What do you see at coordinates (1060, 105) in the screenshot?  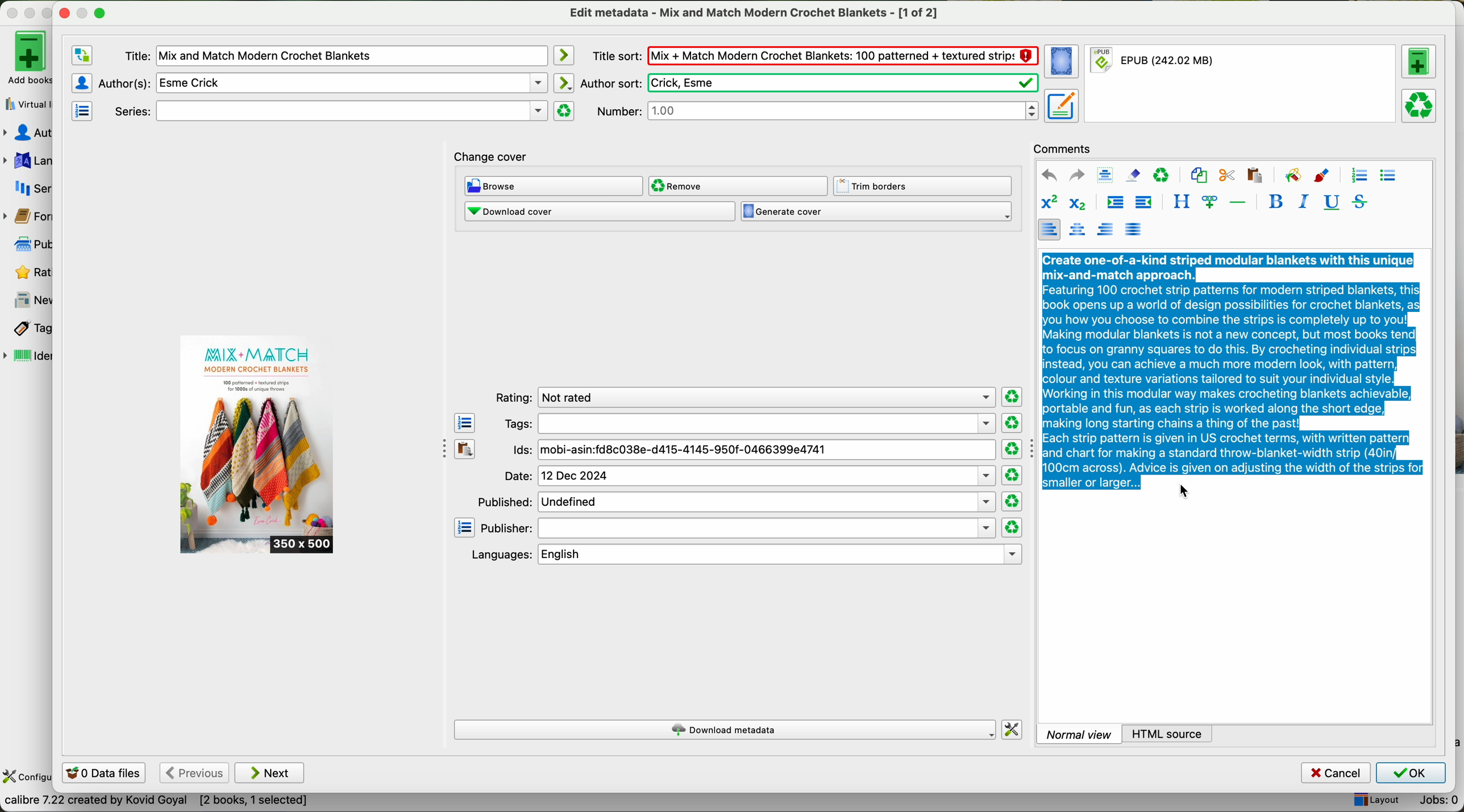 I see `set metadata for the book` at bounding box center [1060, 105].